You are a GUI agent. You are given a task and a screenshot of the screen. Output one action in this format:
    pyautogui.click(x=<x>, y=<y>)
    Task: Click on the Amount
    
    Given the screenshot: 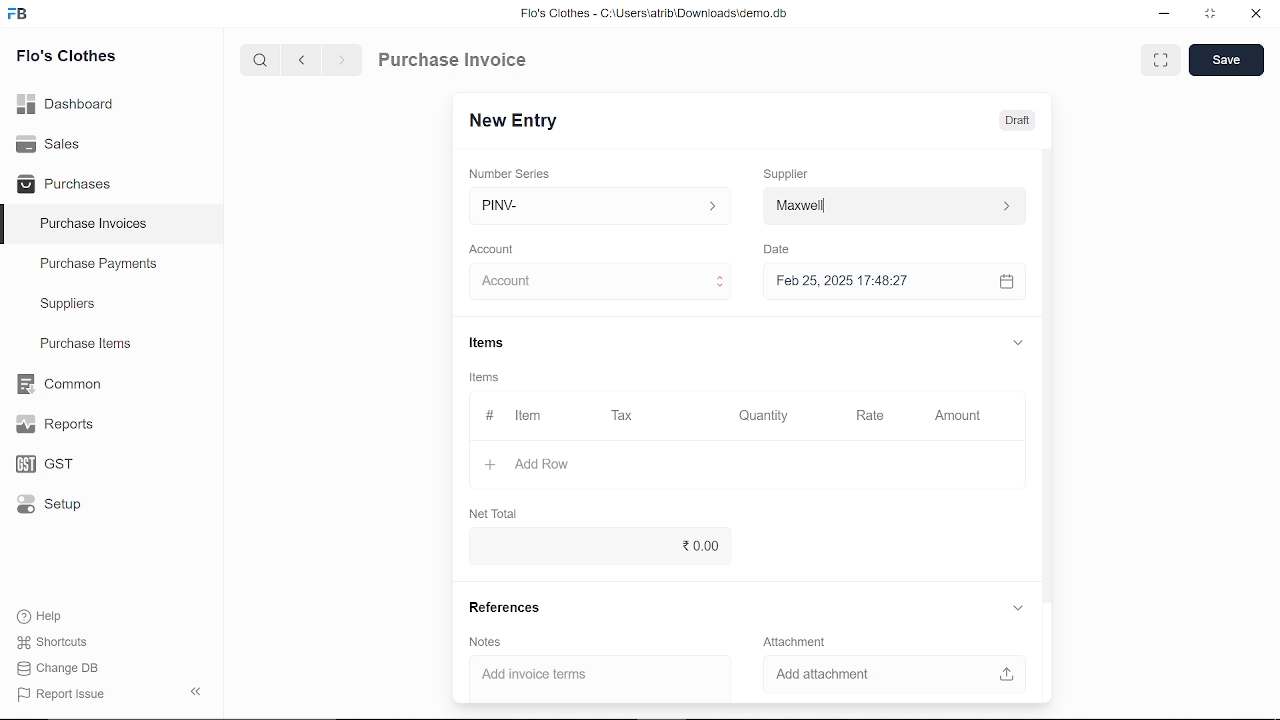 What is the action you would take?
    pyautogui.click(x=956, y=414)
    